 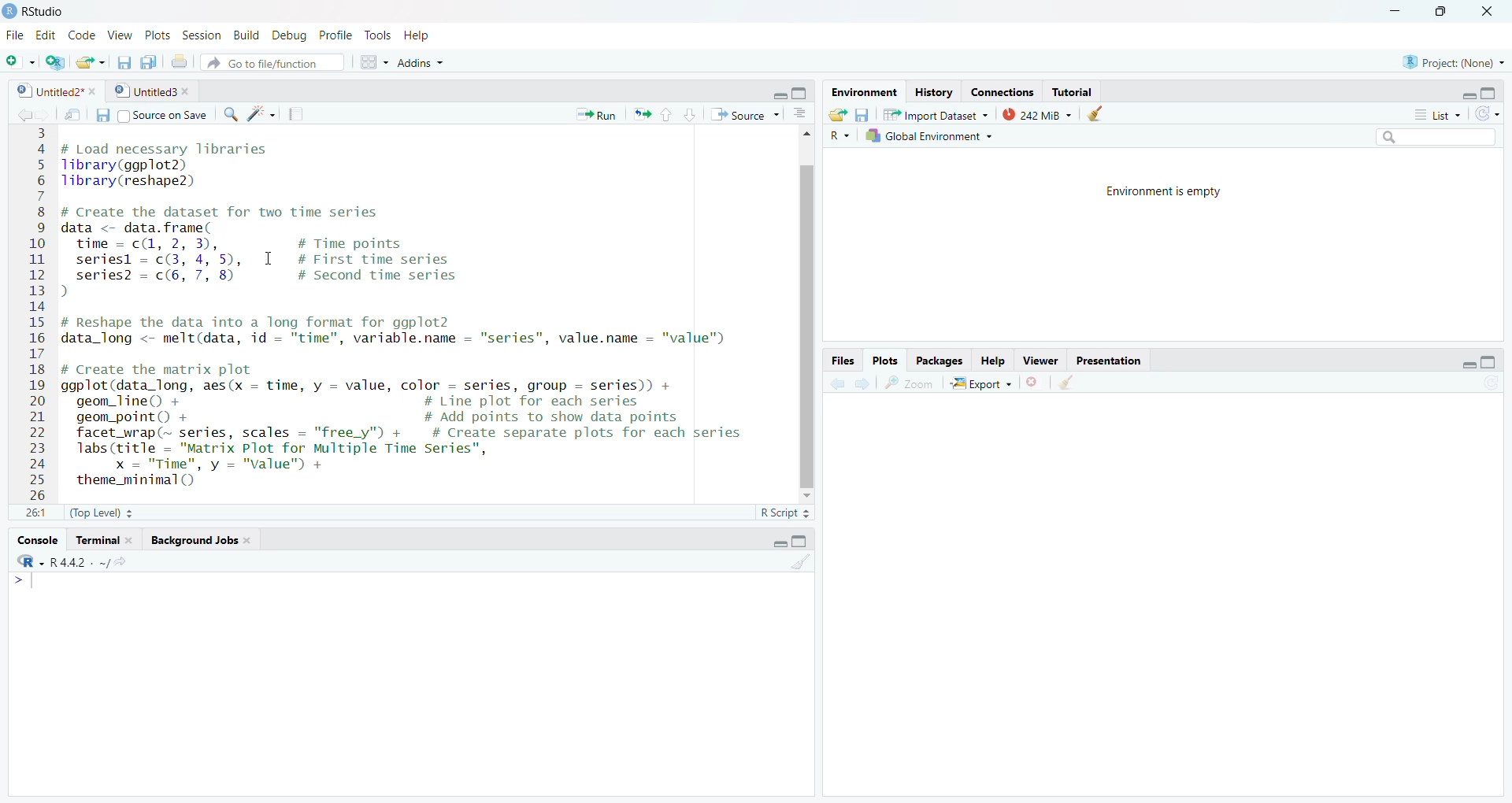 I want to click on Edit, so click(x=47, y=35).